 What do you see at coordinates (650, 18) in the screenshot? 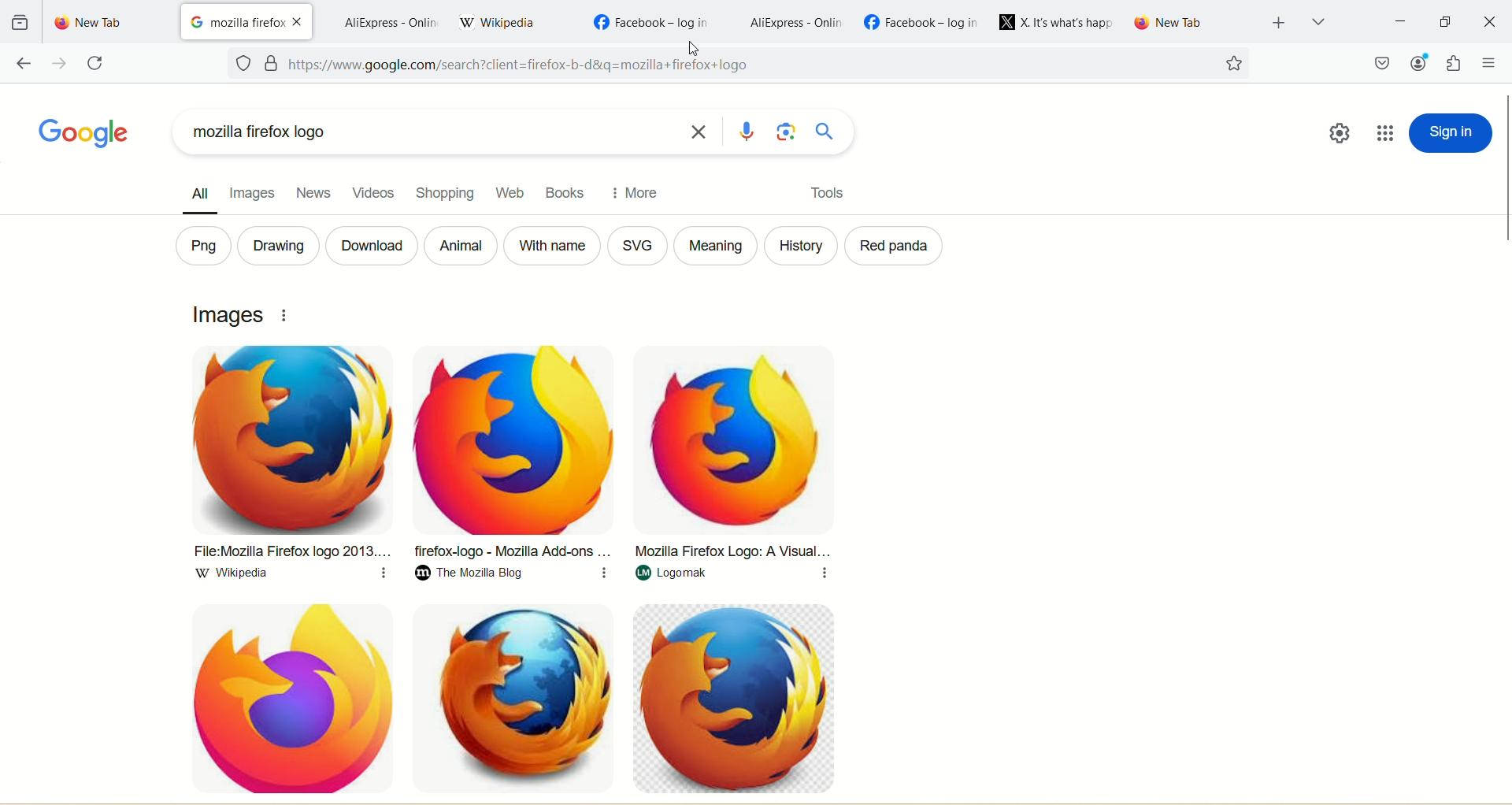
I see `facebook` at bounding box center [650, 18].